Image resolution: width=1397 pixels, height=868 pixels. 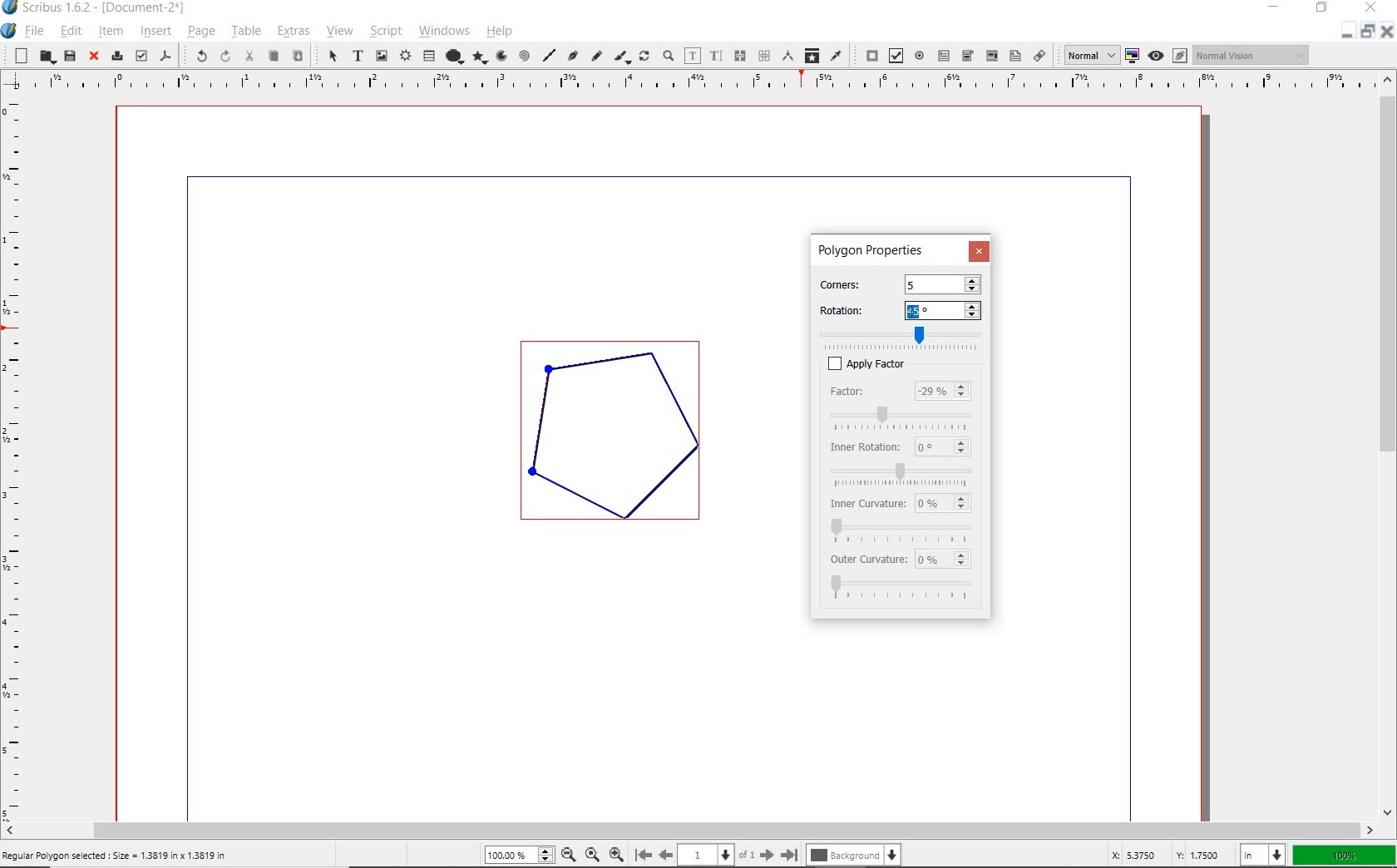 I want to click on inner curvature slider, so click(x=901, y=529).